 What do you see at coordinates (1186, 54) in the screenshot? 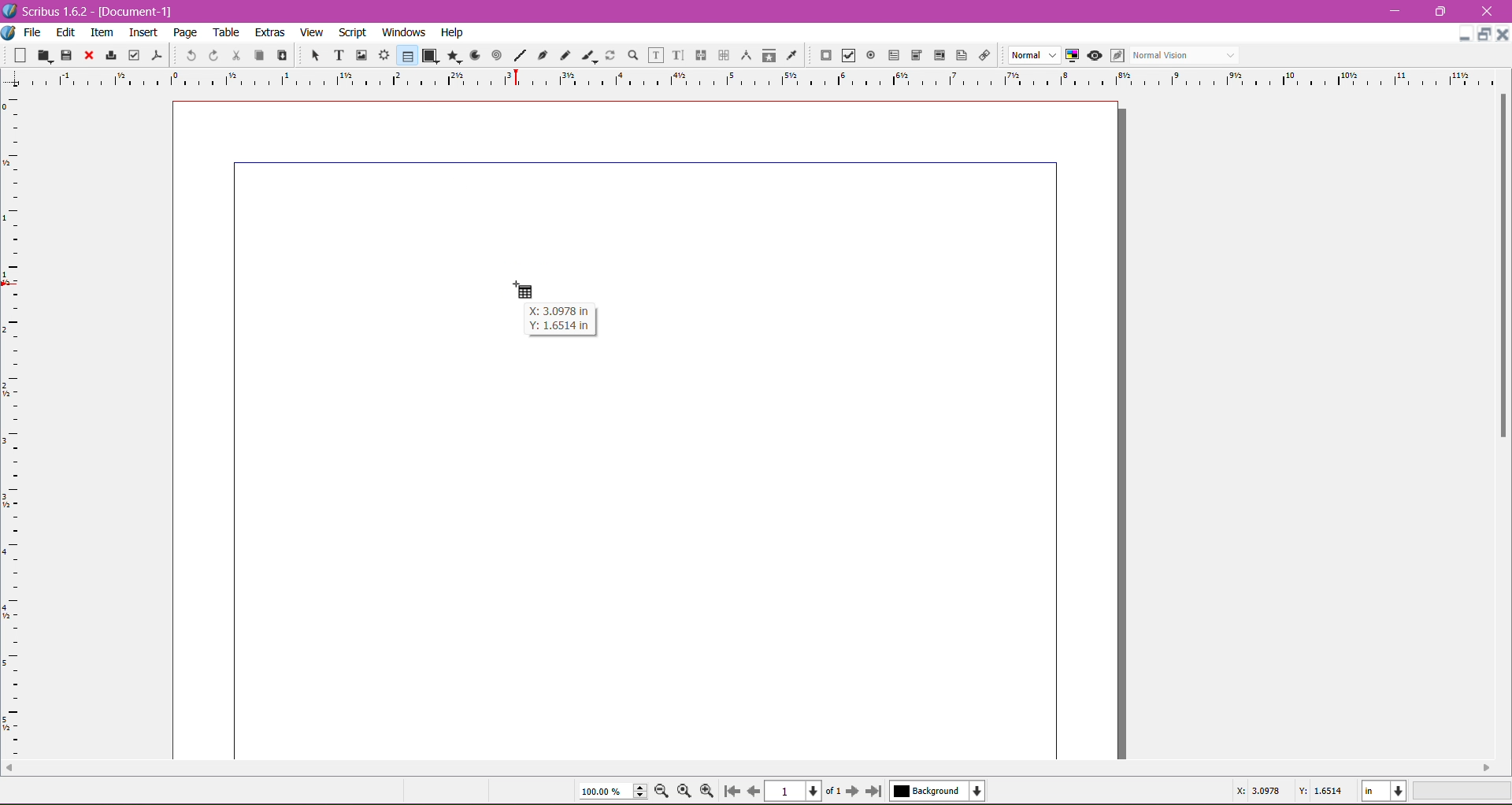
I see `Normal   Vision` at bounding box center [1186, 54].